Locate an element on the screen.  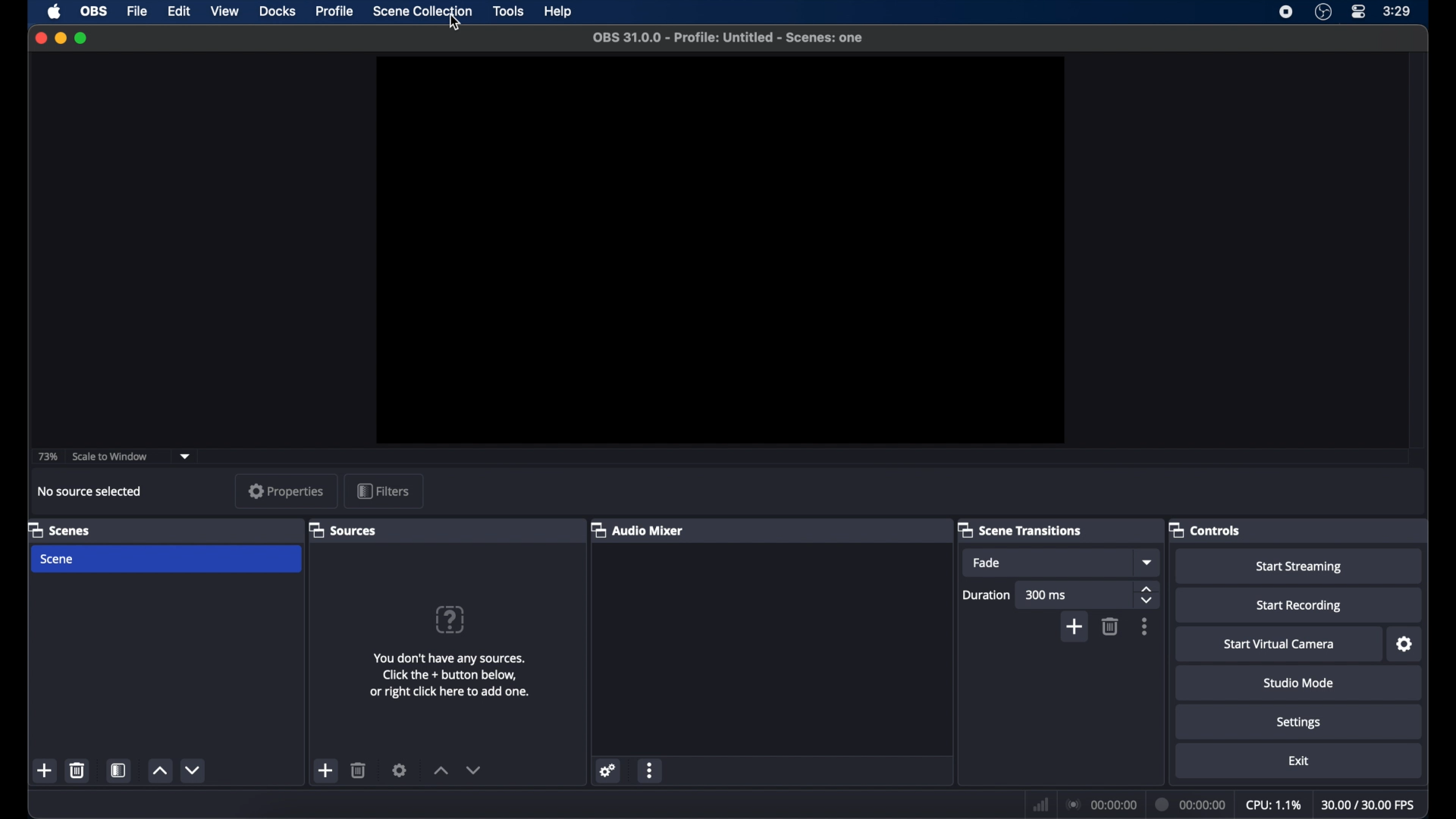
scale to window is located at coordinates (110, 457).